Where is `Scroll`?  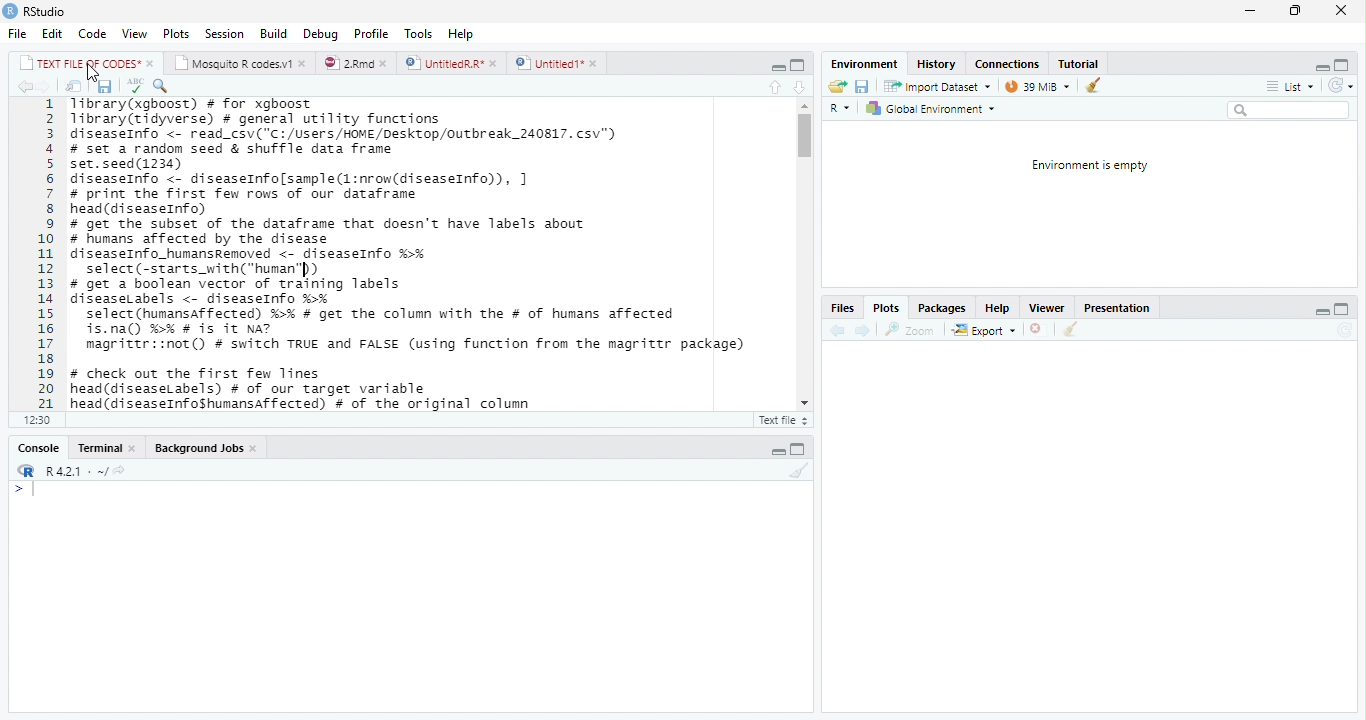
Scroll is located at coordinates (804, 254).